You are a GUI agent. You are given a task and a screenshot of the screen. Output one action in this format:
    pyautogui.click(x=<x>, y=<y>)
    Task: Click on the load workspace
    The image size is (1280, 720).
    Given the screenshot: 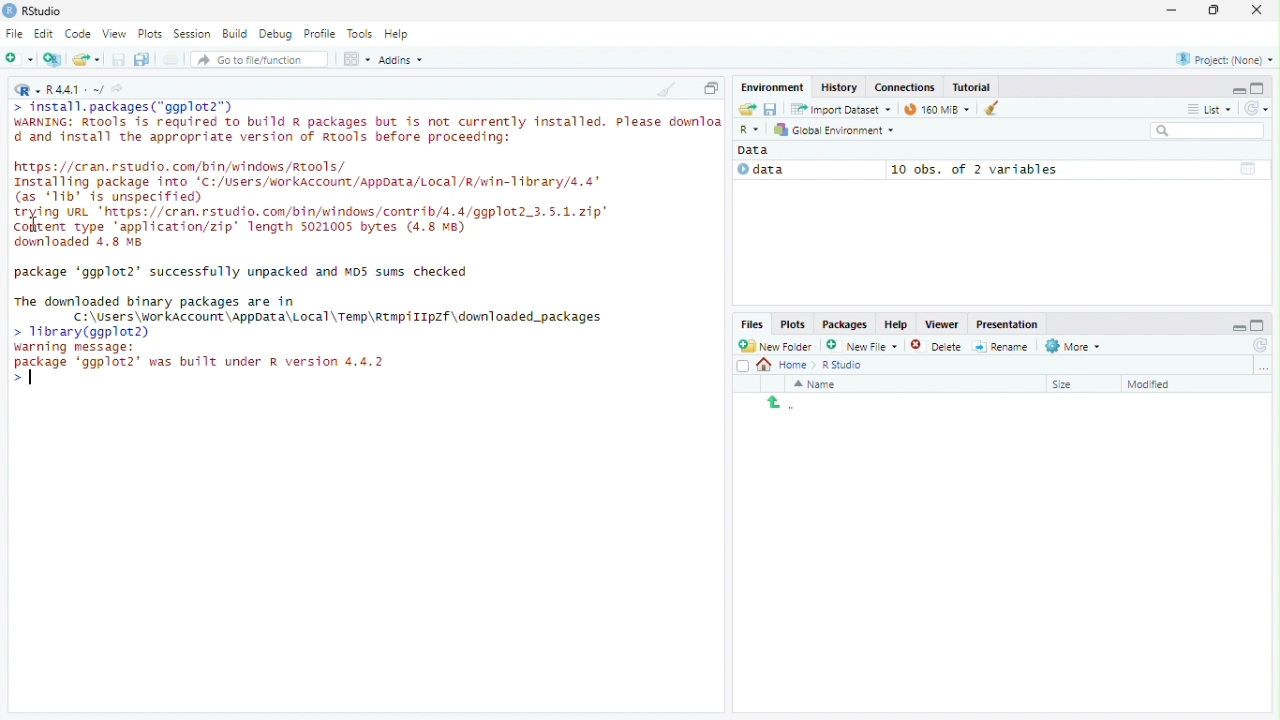 What is the action you would take?
    pyautogui.click(x=746, y=110)
    